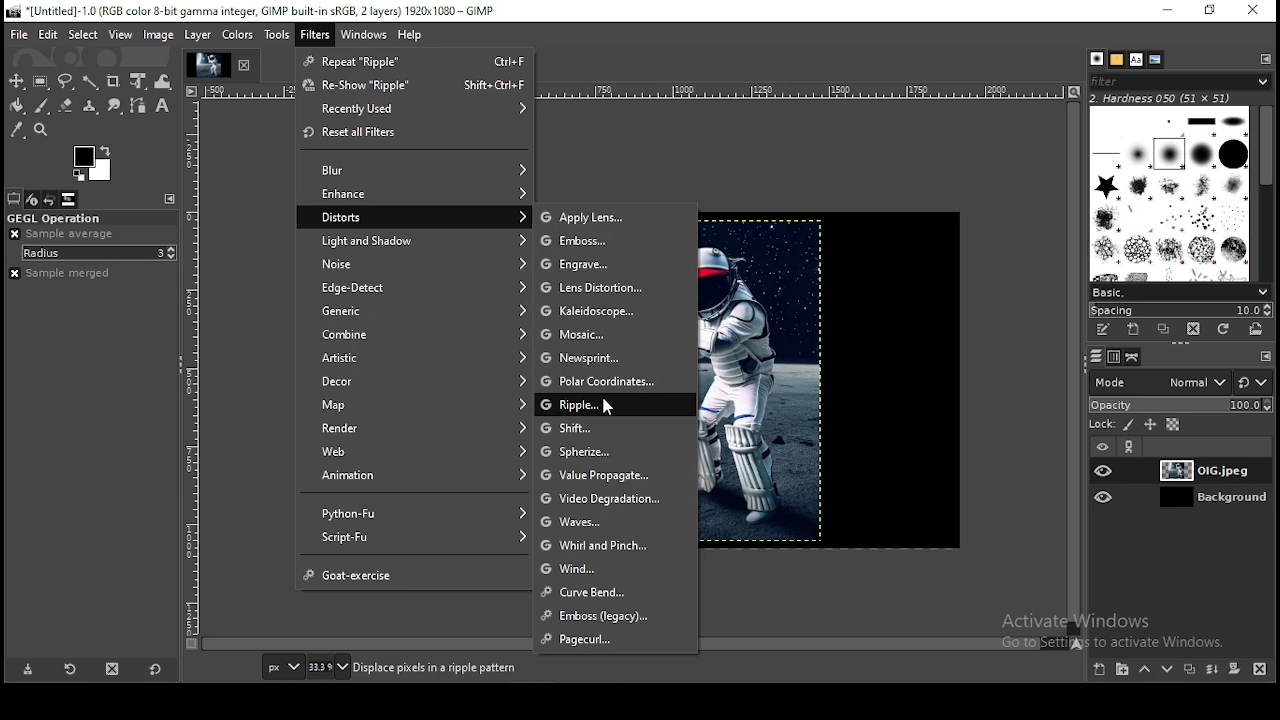 This screenshot has width=1280, height=720. What do you see at coordinates (1102, 447) in the screenshot?
I see `layer visibility` at bounding box center [1102, 447].